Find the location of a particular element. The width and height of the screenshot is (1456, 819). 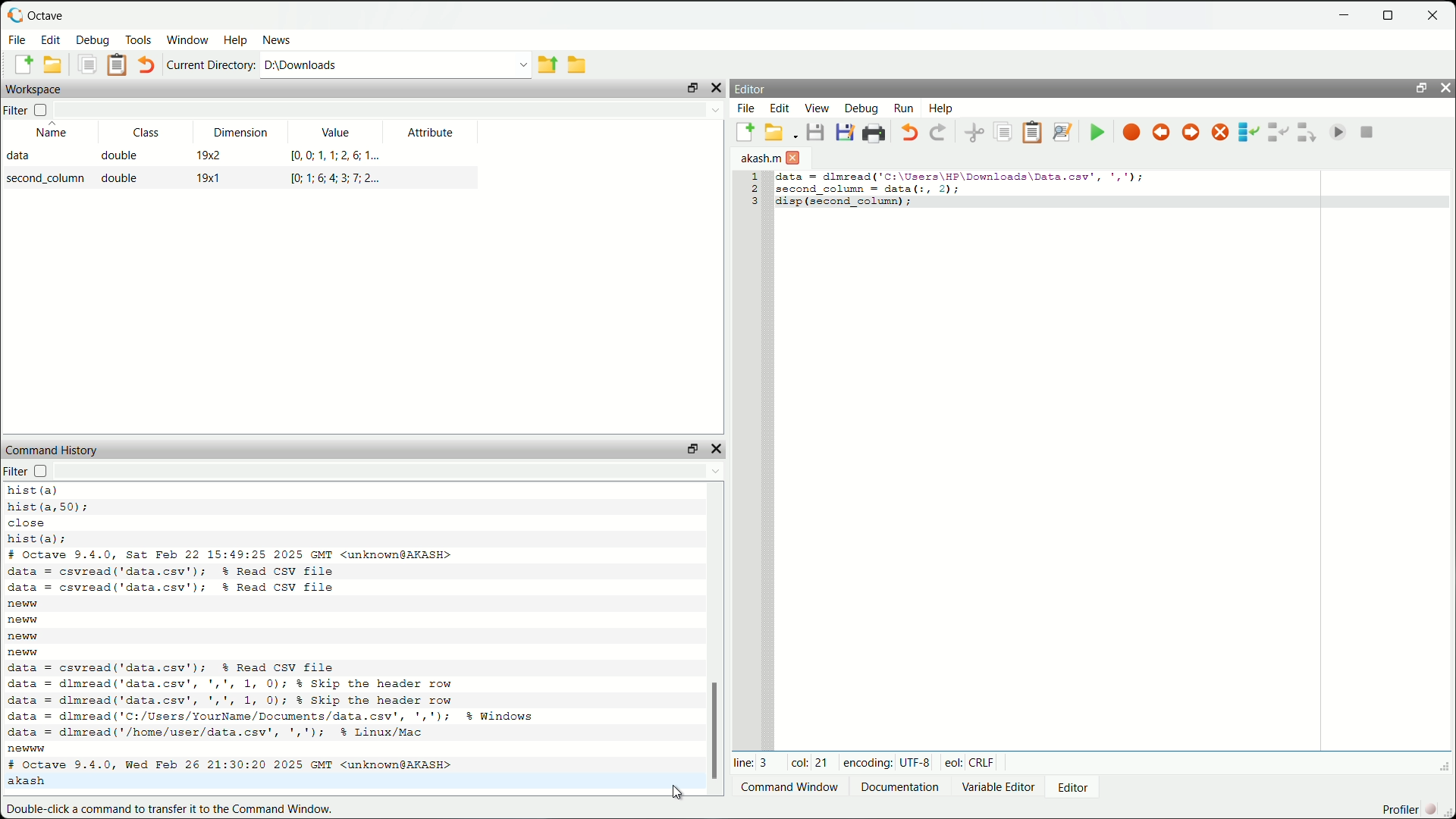

open an existing file in editor is located at coordinates (781, 135).